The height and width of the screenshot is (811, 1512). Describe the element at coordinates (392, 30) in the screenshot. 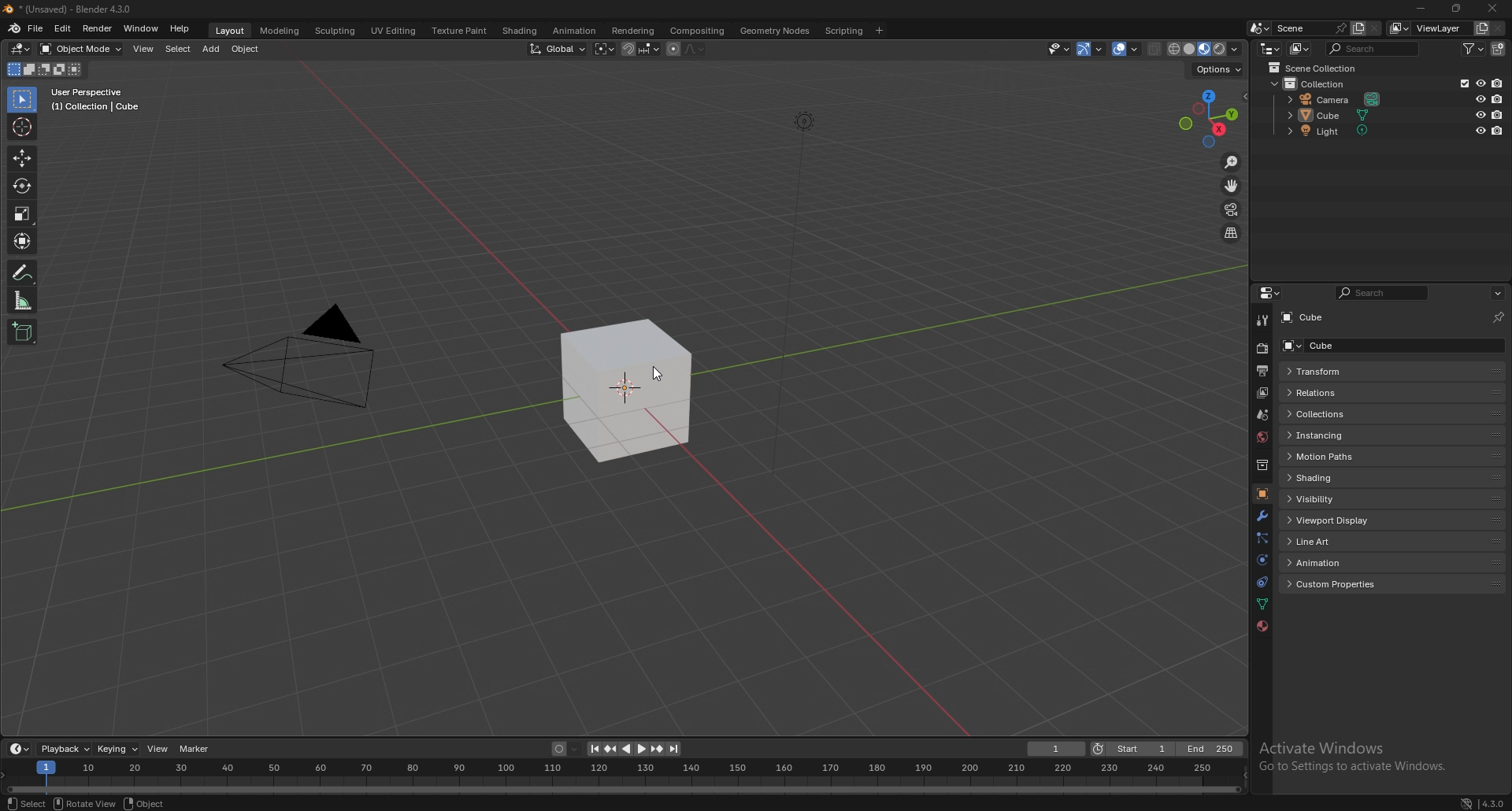

I see `uv editing` at that location.